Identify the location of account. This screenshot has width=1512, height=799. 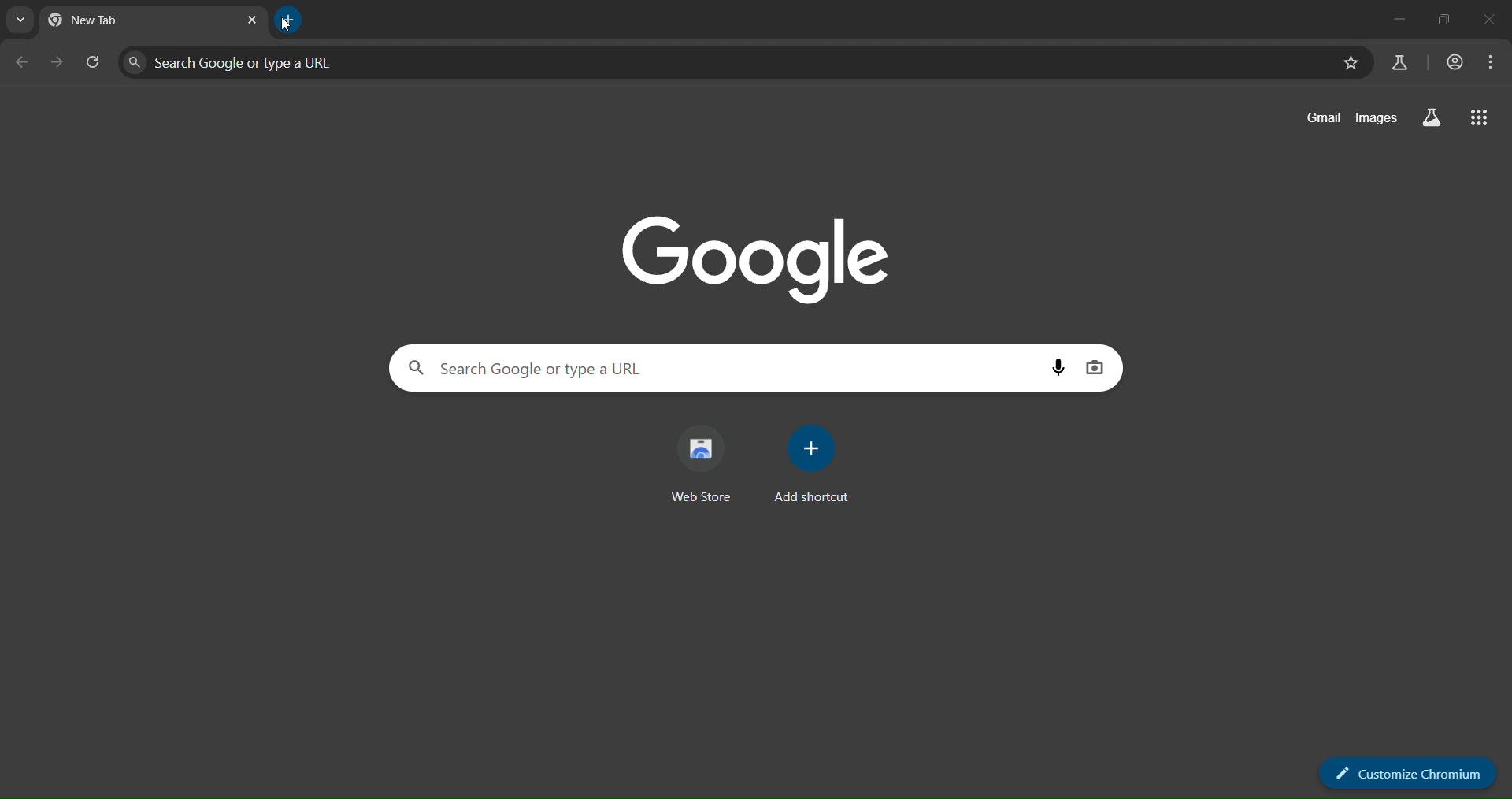
(1456, 64).